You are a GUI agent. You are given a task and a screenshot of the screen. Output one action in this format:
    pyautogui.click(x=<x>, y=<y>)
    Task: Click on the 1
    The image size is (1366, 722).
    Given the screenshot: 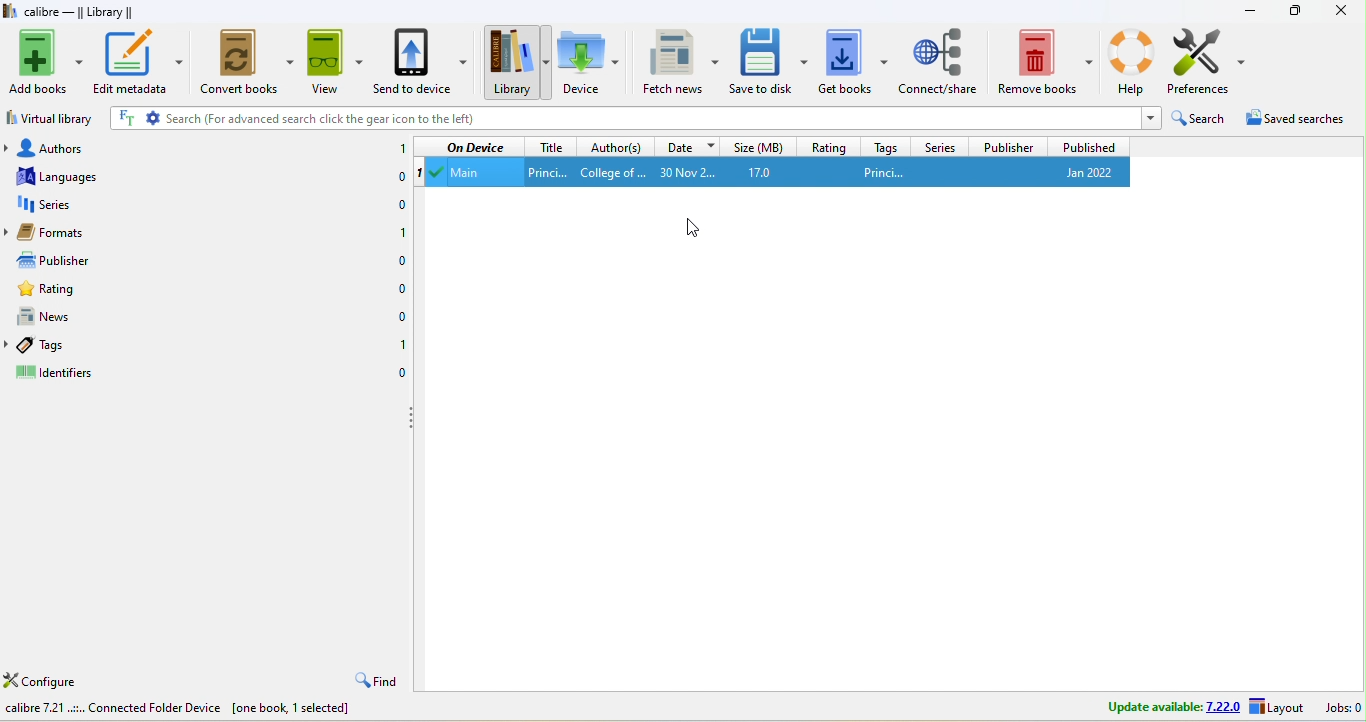 What is the action you would take?
    pyautogui.click(x=420, y=173)
    